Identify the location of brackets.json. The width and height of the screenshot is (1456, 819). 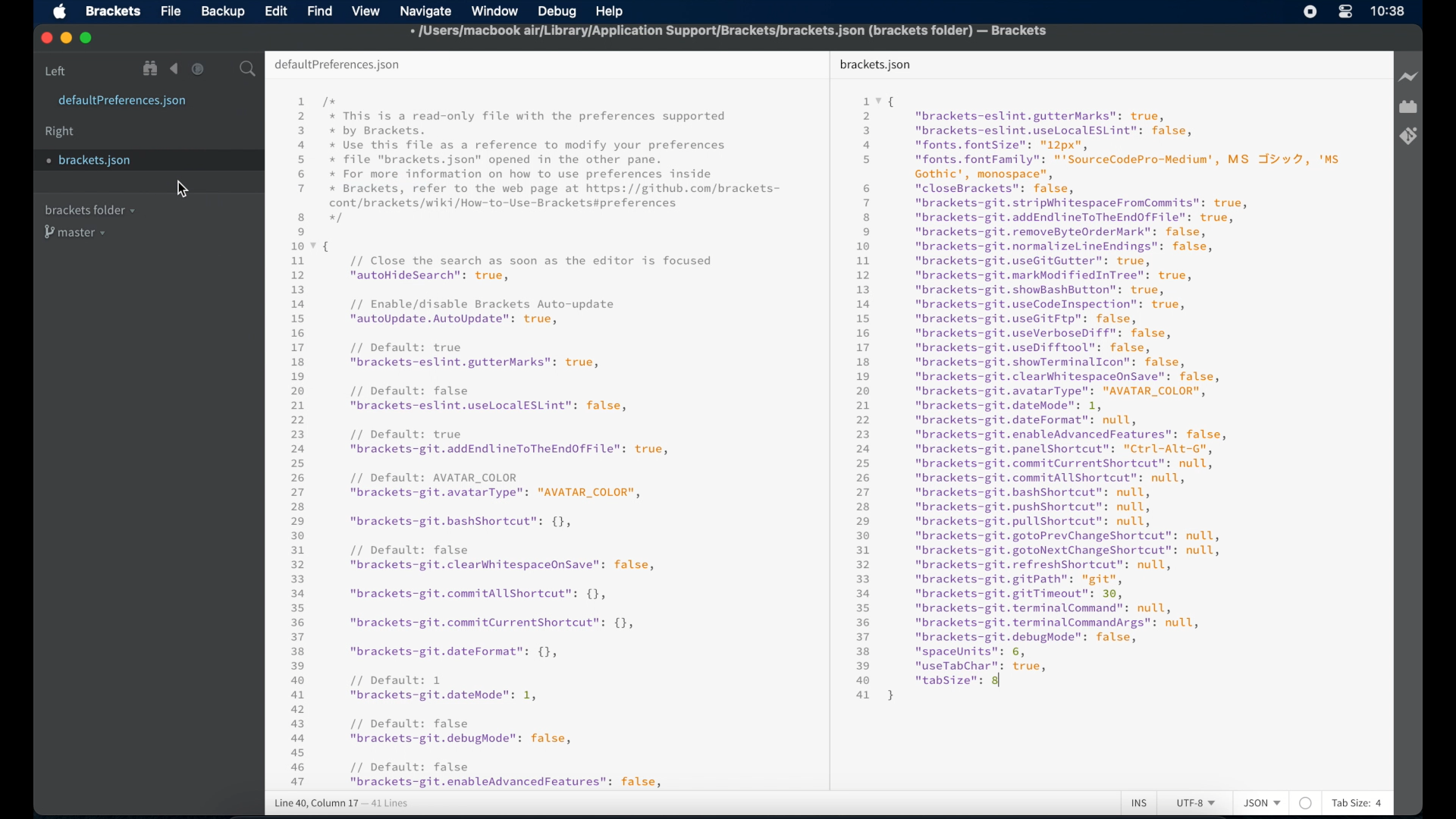
(91, 161).